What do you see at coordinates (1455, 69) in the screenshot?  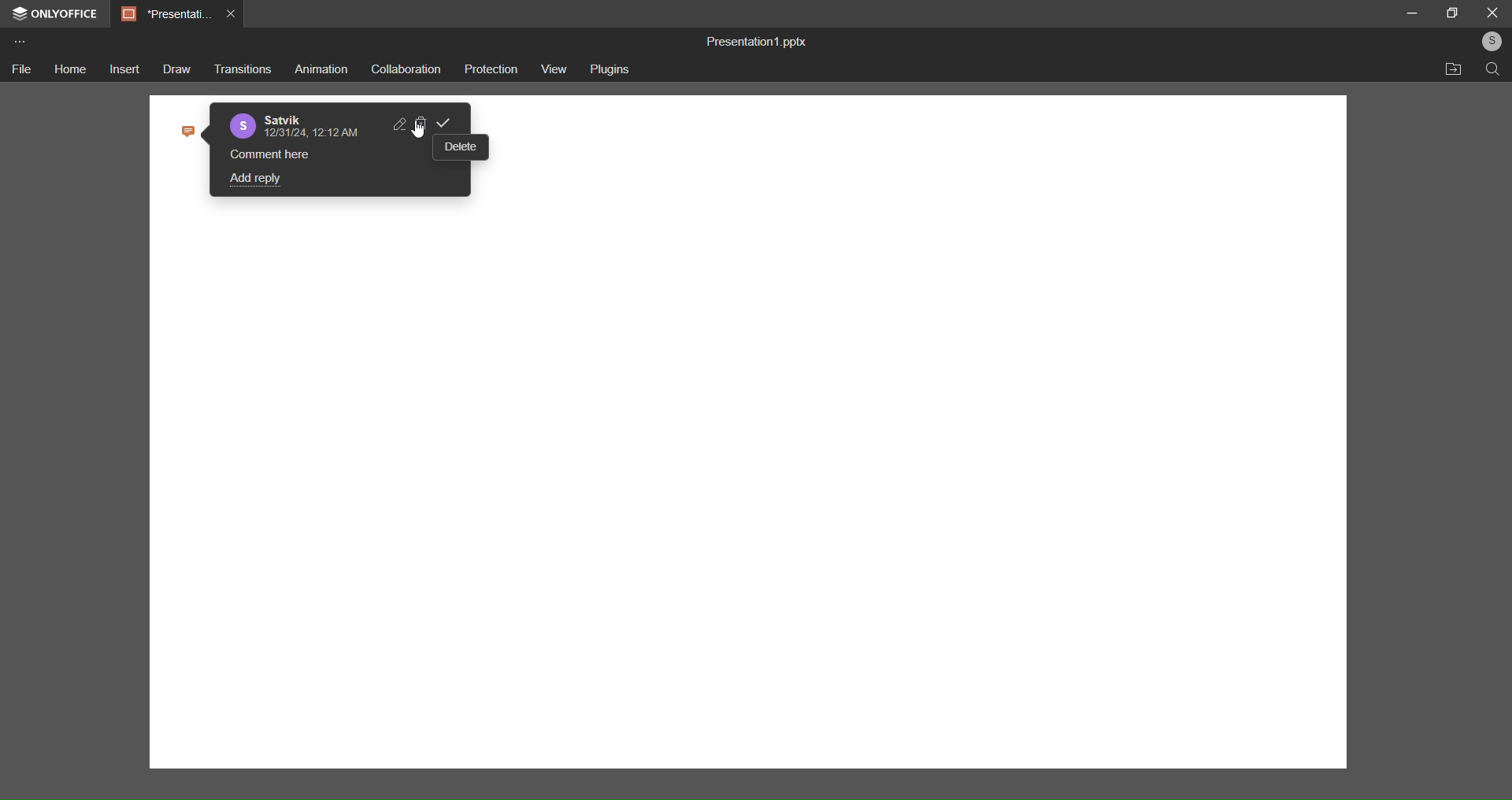 I see `open` at bounding box center [1455, 69].